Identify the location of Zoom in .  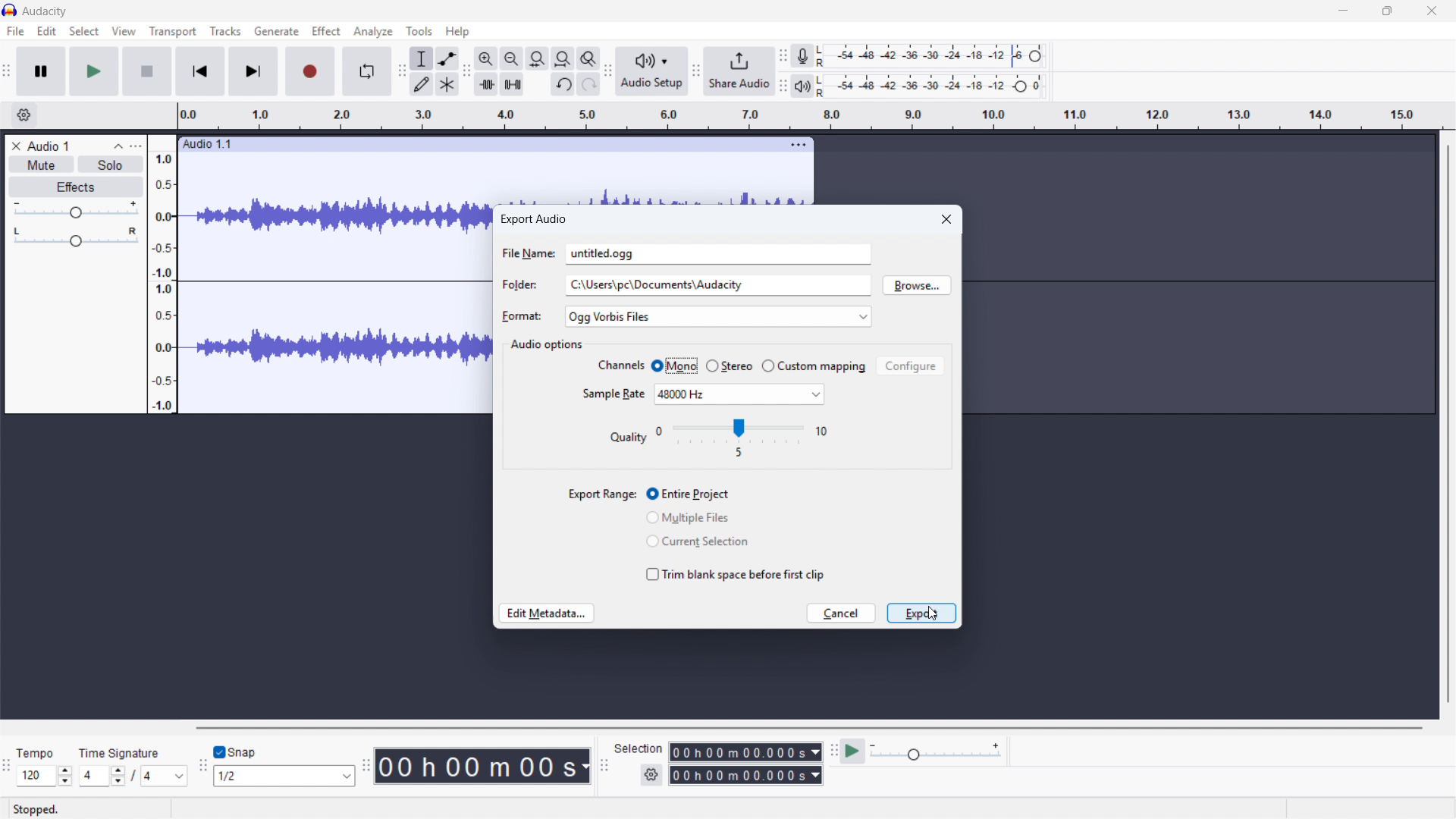
(486, 58).